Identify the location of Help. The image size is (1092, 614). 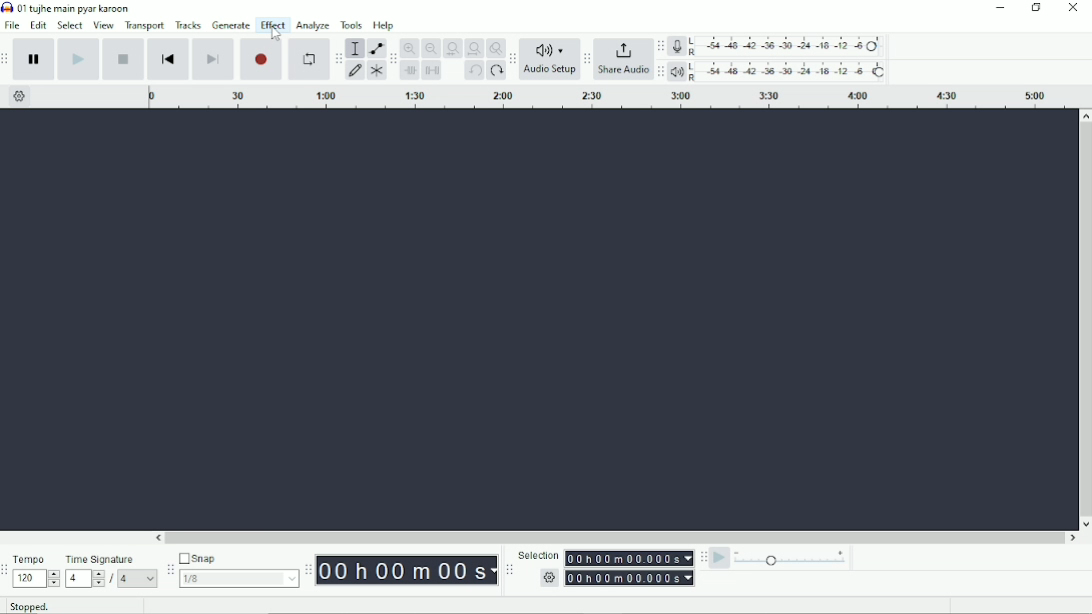
(385, 26).